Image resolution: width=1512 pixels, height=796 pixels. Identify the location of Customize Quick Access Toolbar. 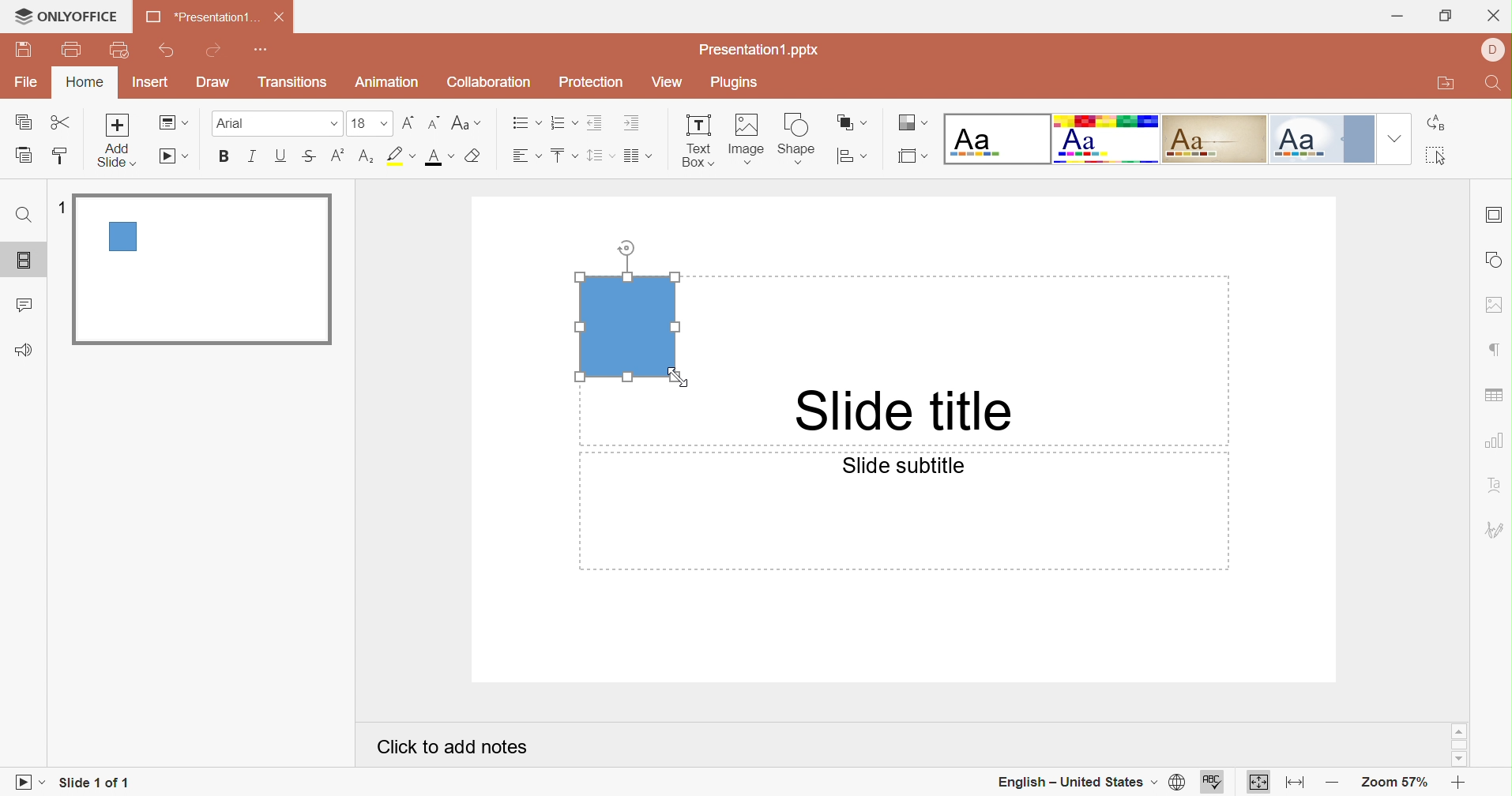
(258, 50).